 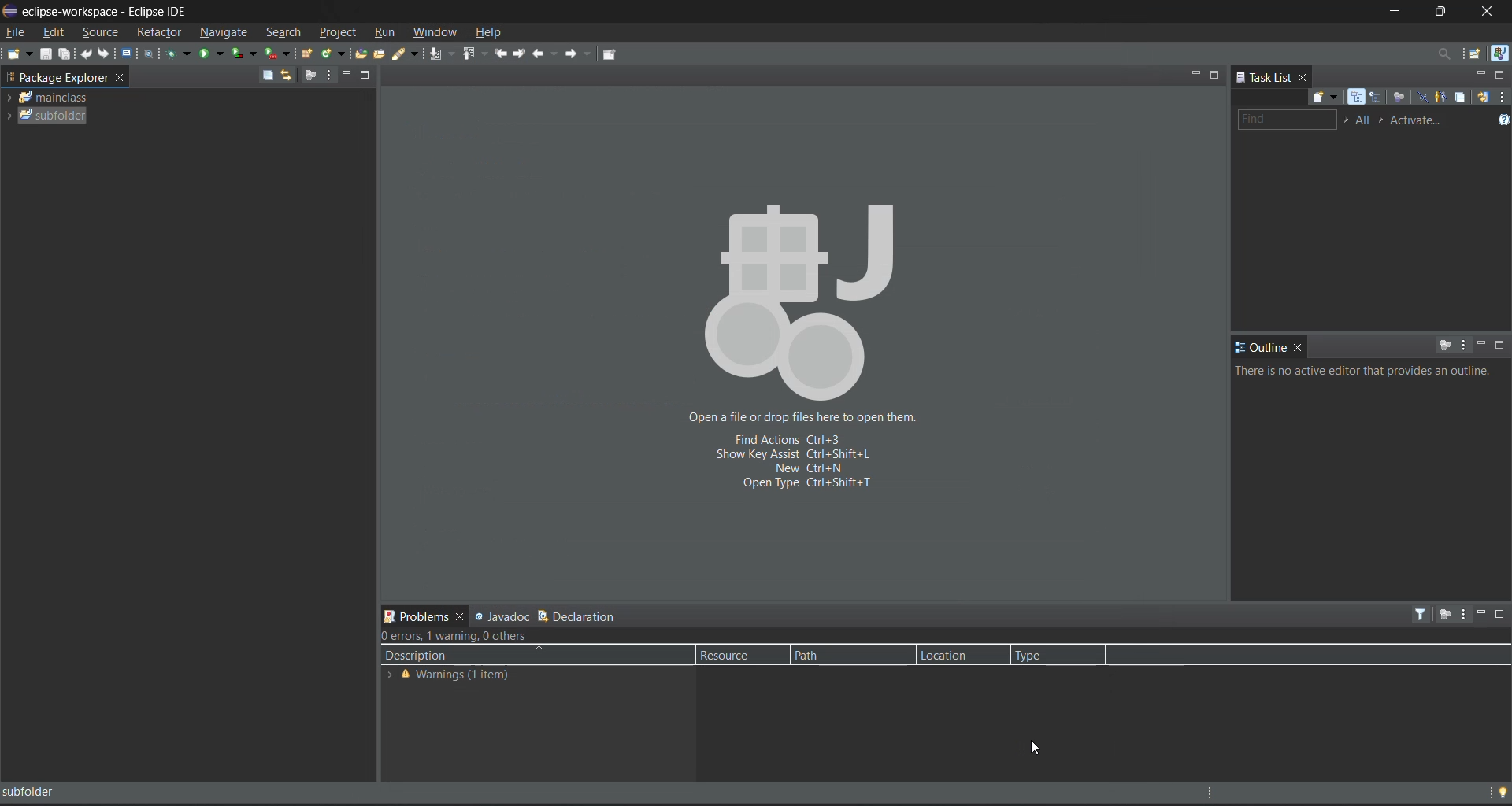 What do you see at coordinates (1299, 347) in the screenshot?
I see `close` at bounding box center [1299, 347].